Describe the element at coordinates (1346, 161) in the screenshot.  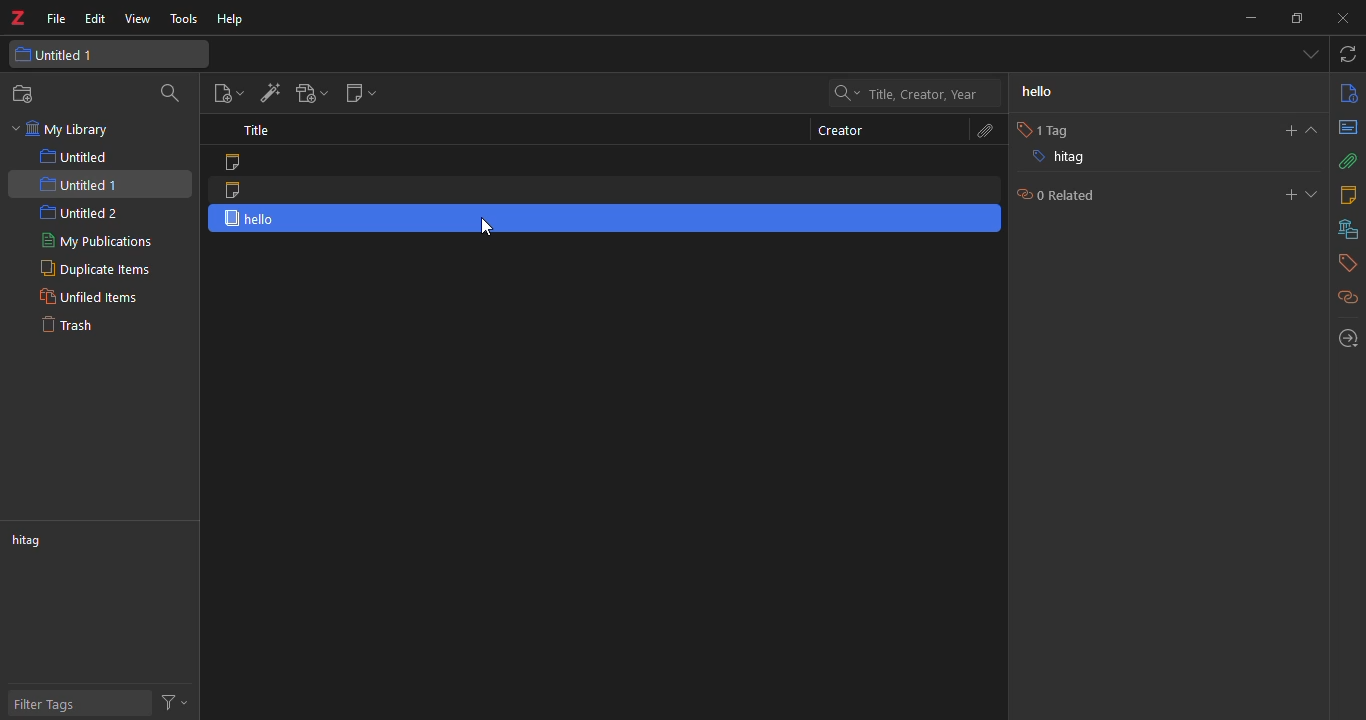
I see `attach` at that location.